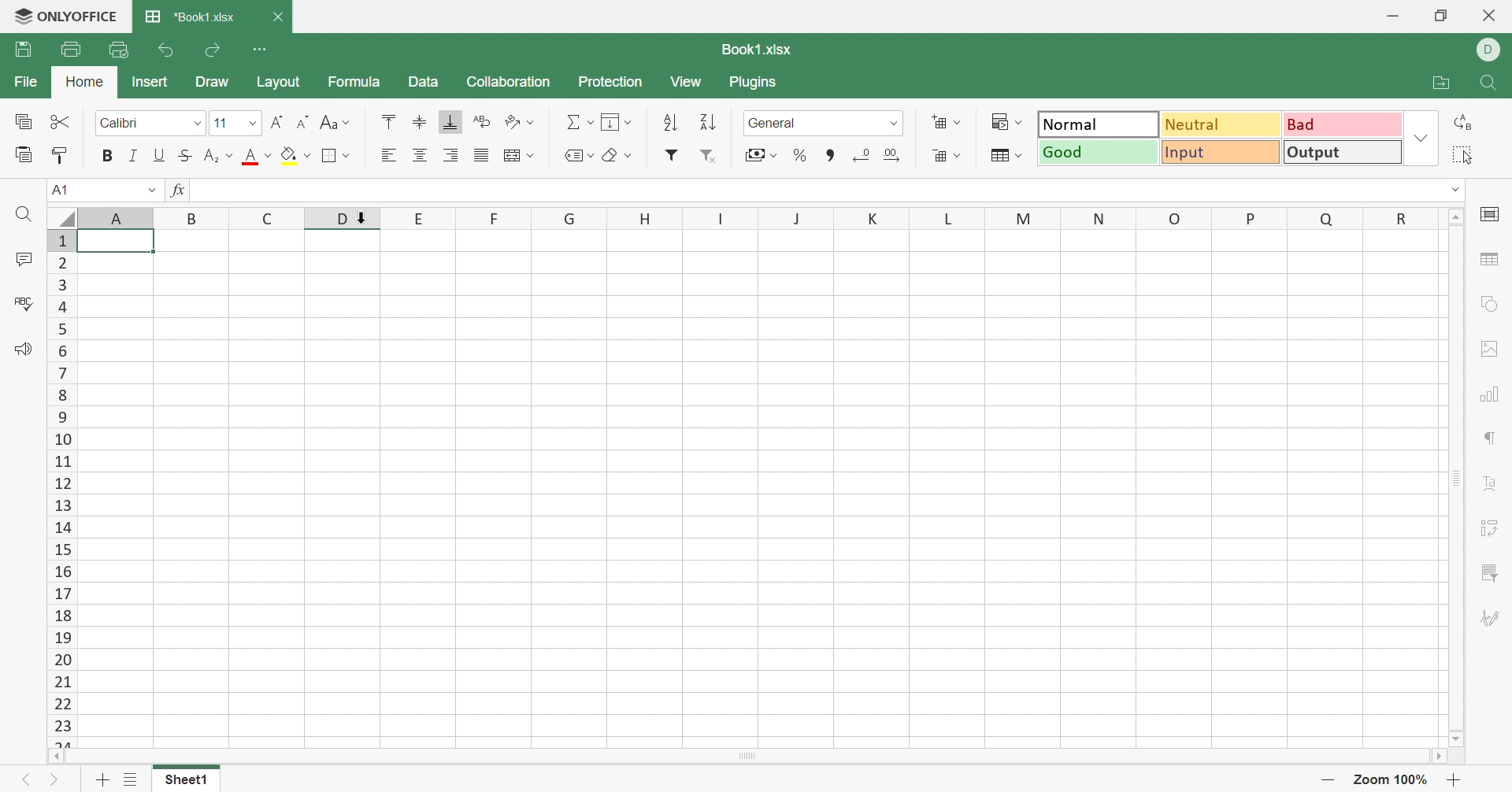 The image size is (1512, 792). I want to click on Fill, so click(610, 120).